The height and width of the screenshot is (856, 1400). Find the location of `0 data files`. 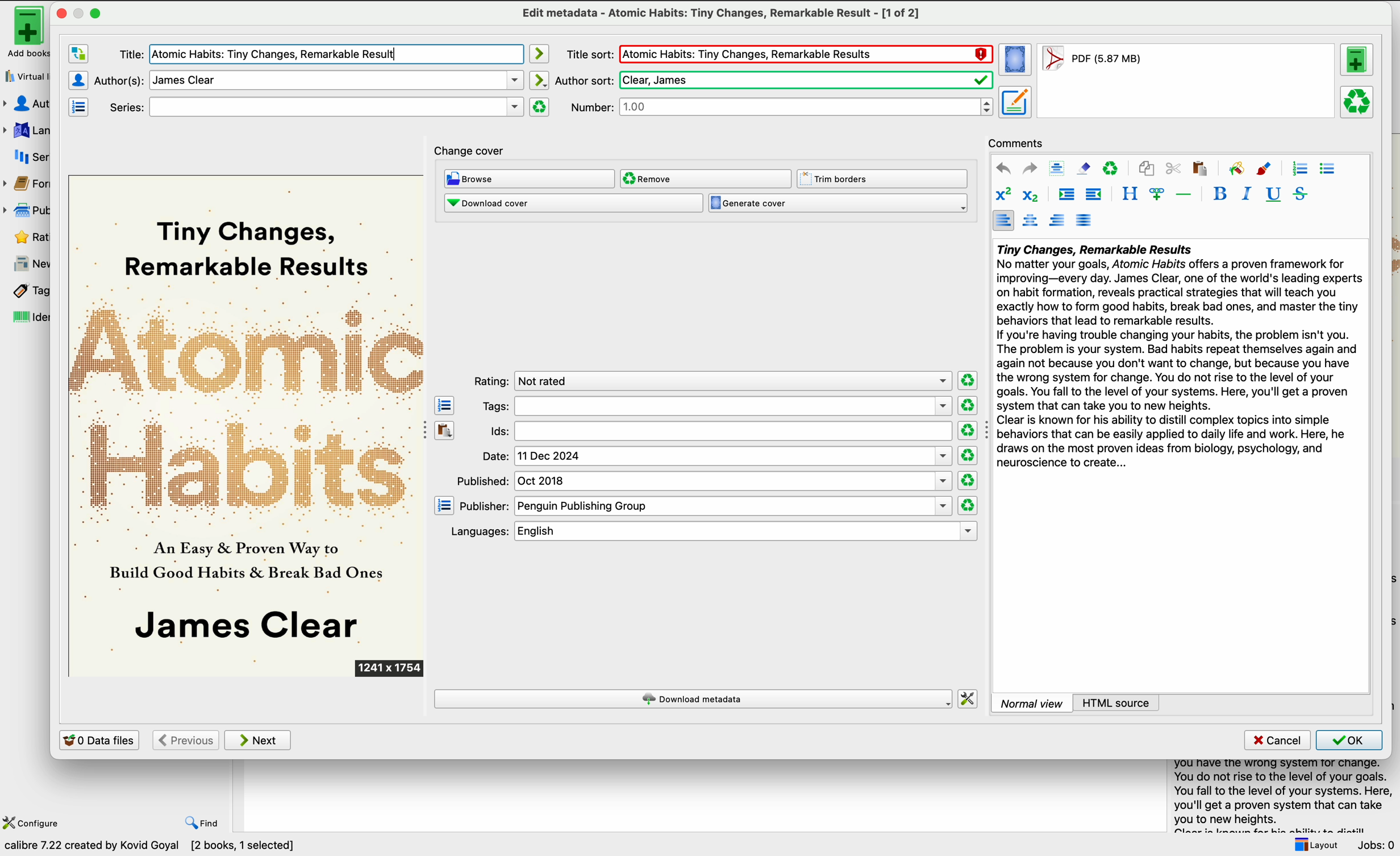

0 data files is located at coordinates (99, 739).